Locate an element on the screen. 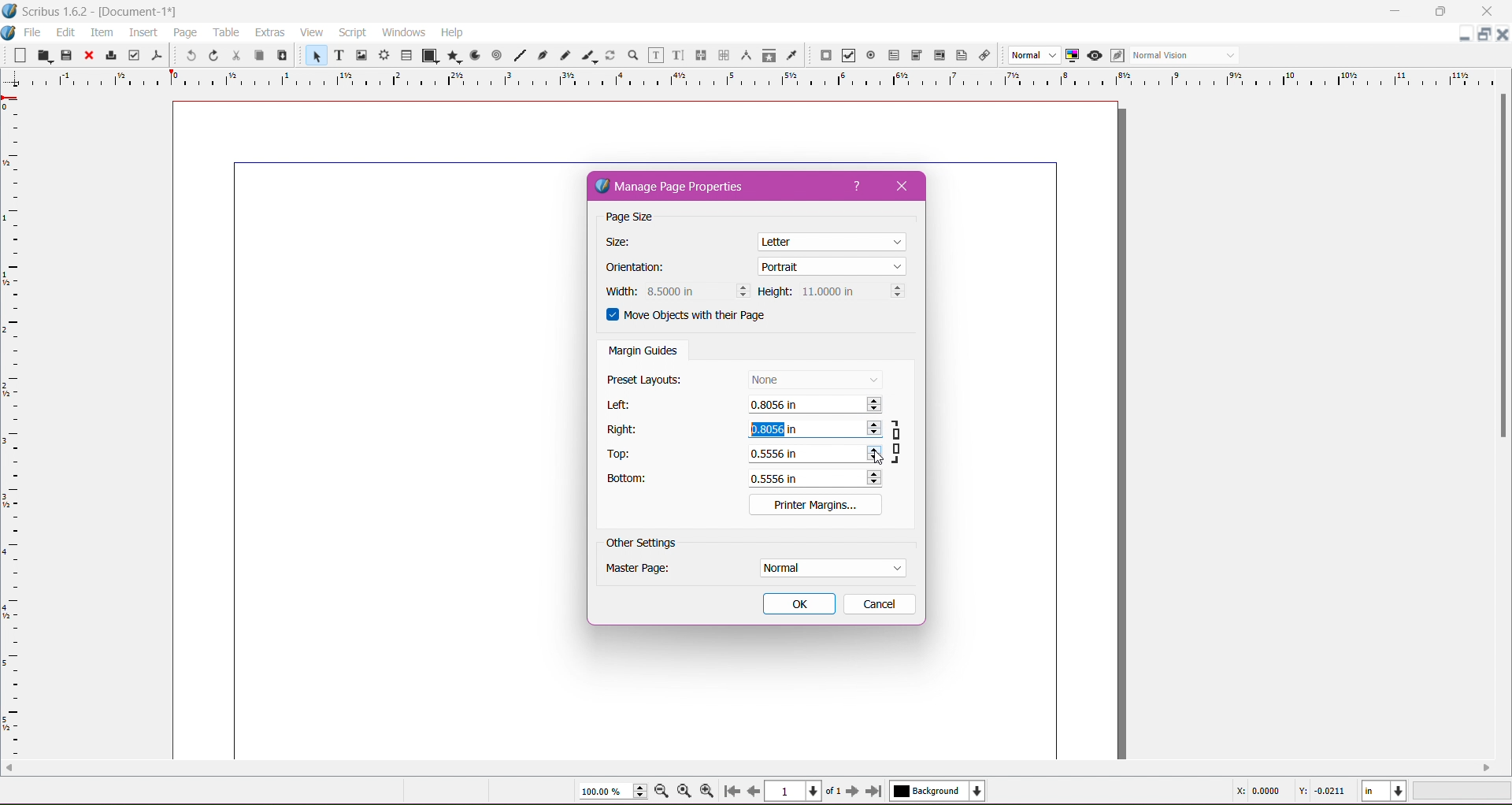  Zoom to 100% is located at coordinates (684, 790).